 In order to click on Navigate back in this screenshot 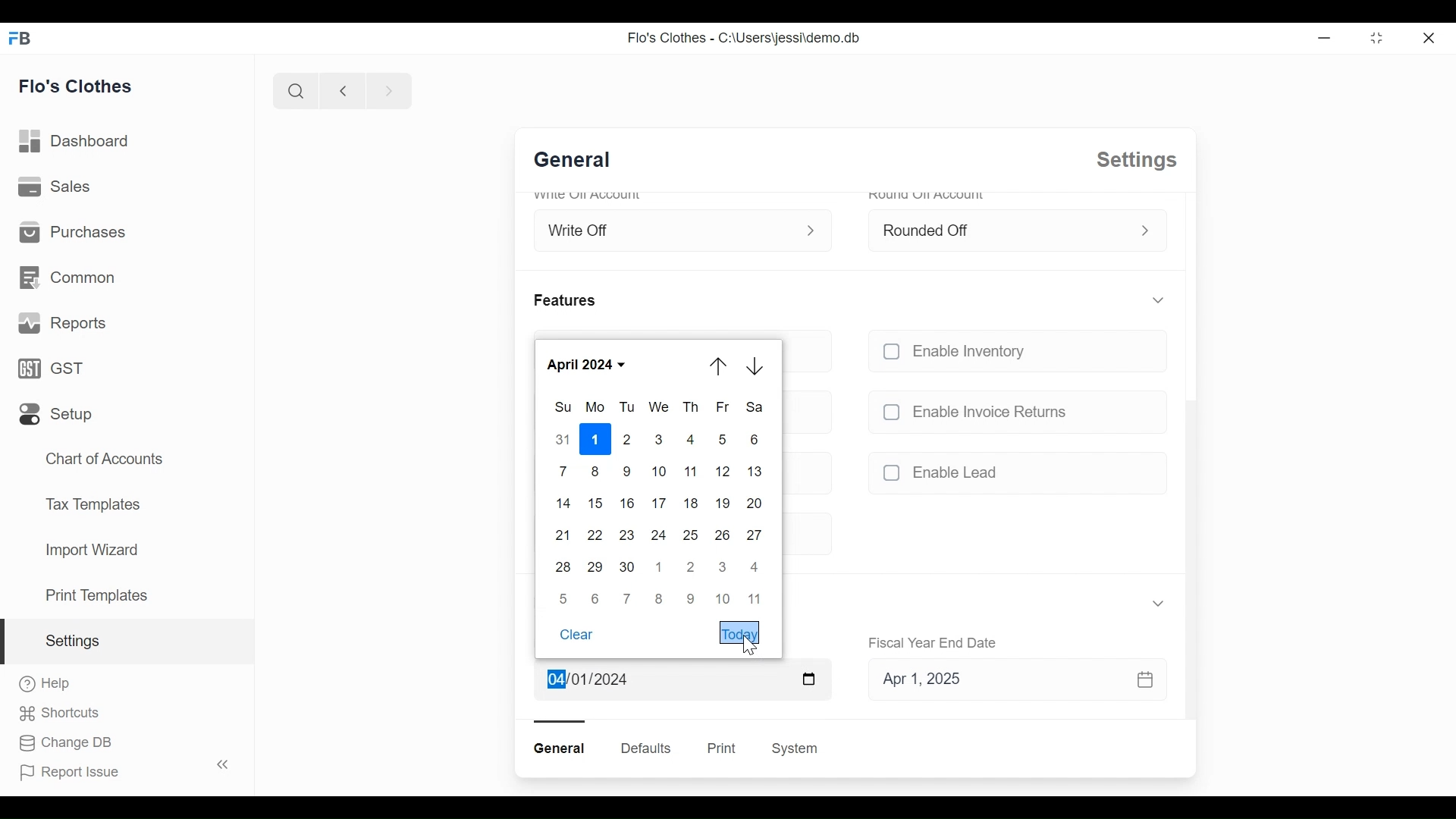, I will do `click(340, 90)`.